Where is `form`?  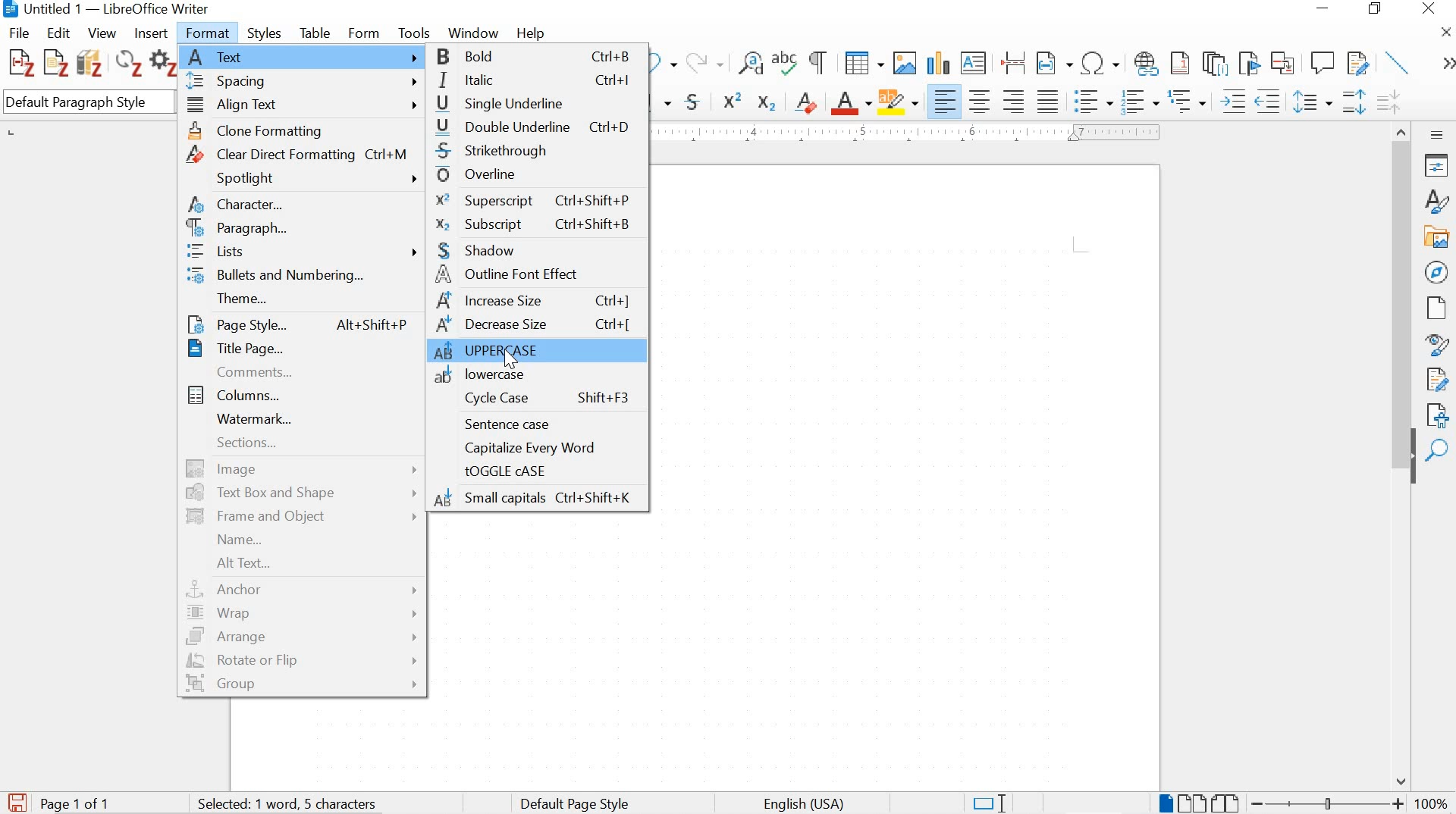 form is located at coordinates (364, 31).